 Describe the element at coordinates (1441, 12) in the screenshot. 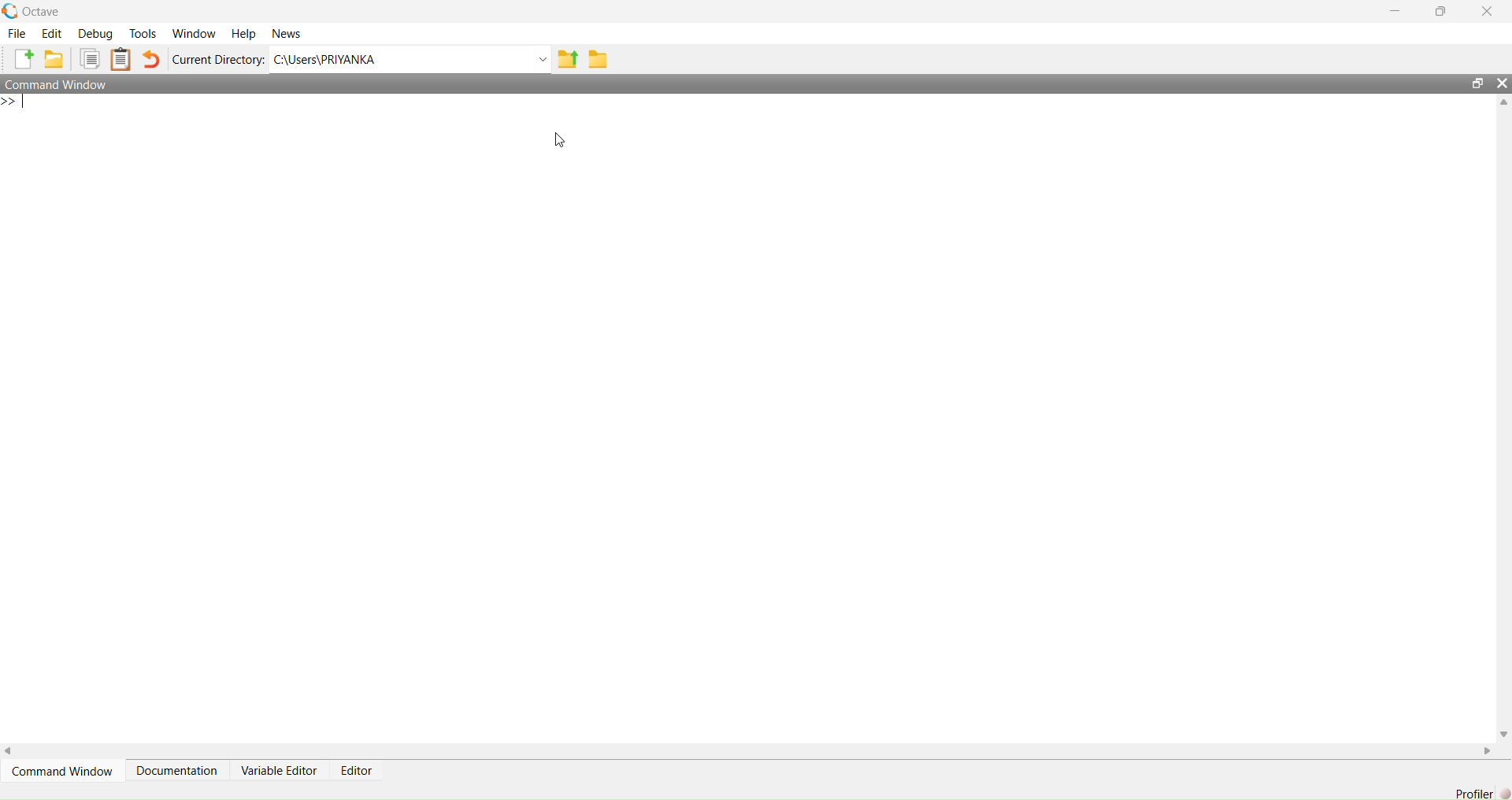

I see `restore` at that location.